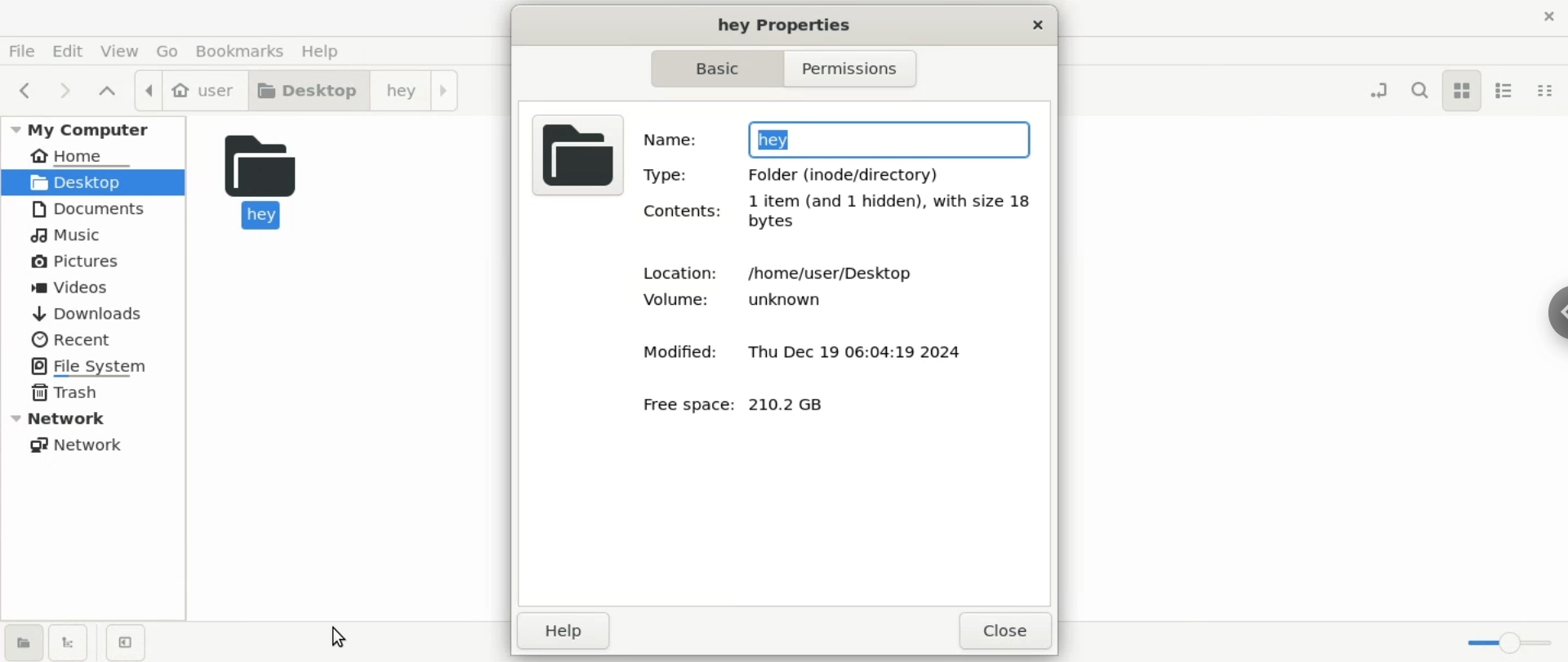 Image resolution: width=1568 pixels, height=662 pixels. Describe the element at coordinates (1548, 13) in the screenshot. I see `close` at that location.